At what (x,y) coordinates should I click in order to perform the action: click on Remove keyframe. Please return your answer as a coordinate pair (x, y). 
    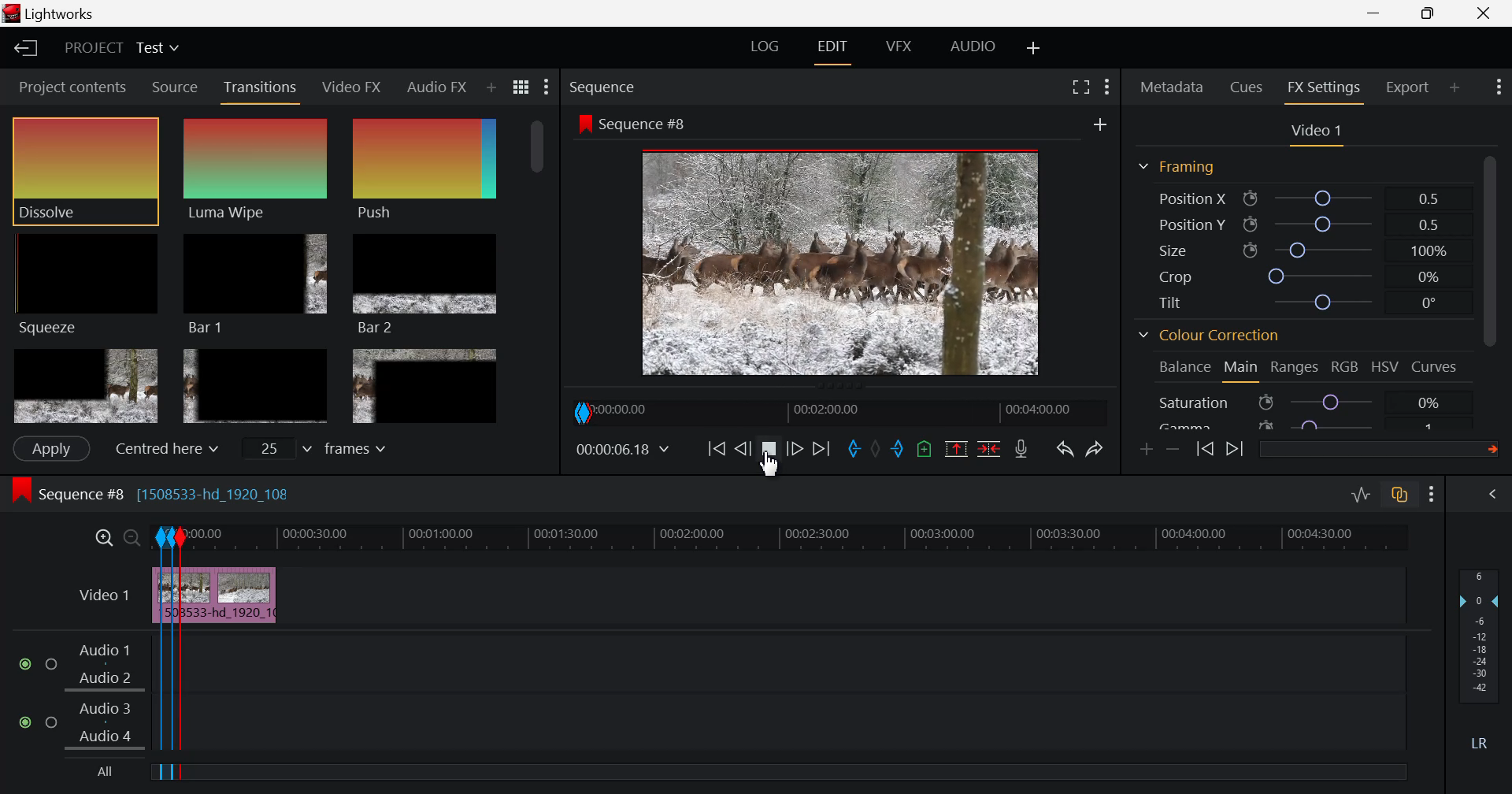
    Looking at the image, I should click on (1173, 451).